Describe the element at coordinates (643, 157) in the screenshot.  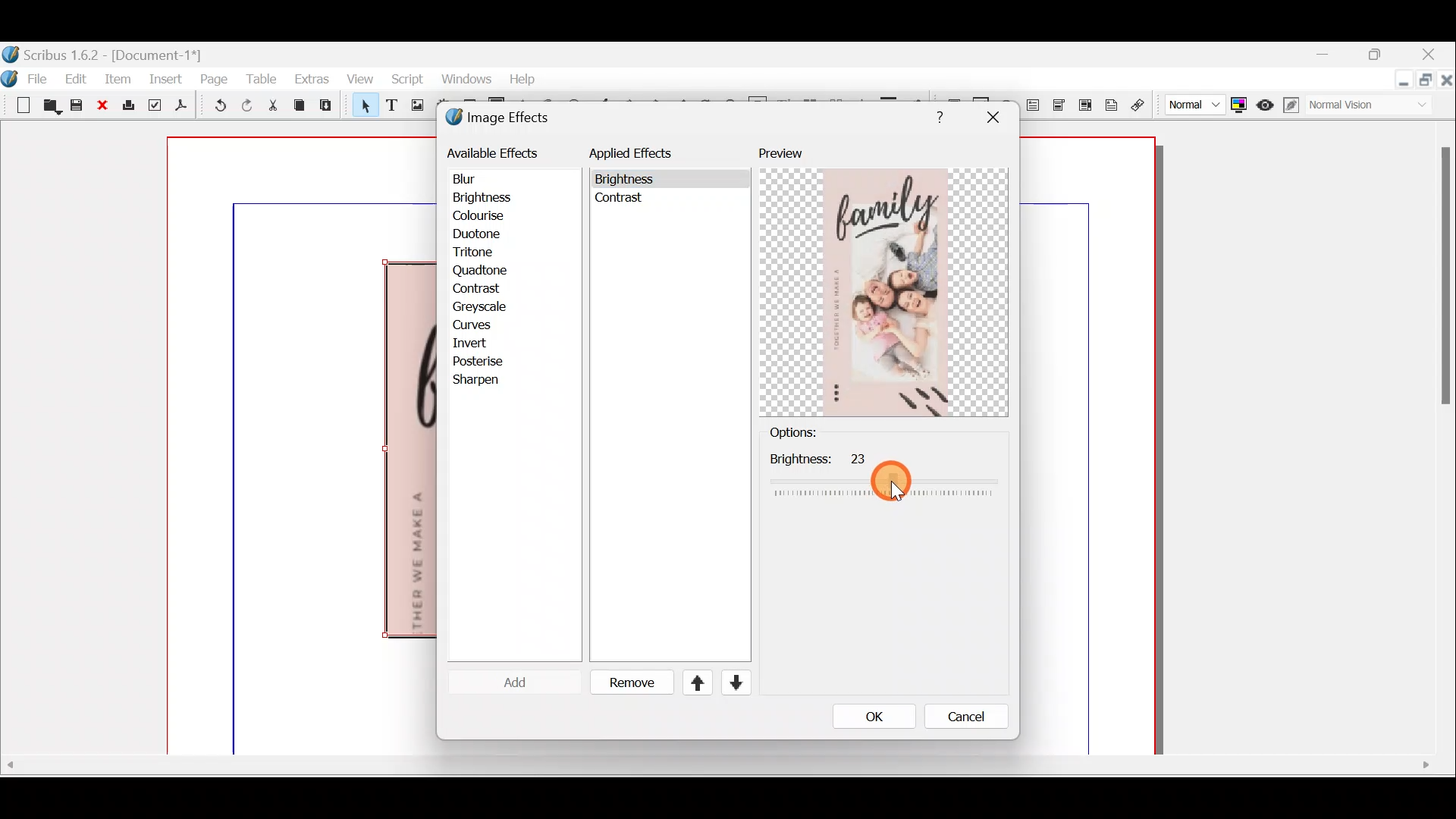
I see `Applied effects` at that location.